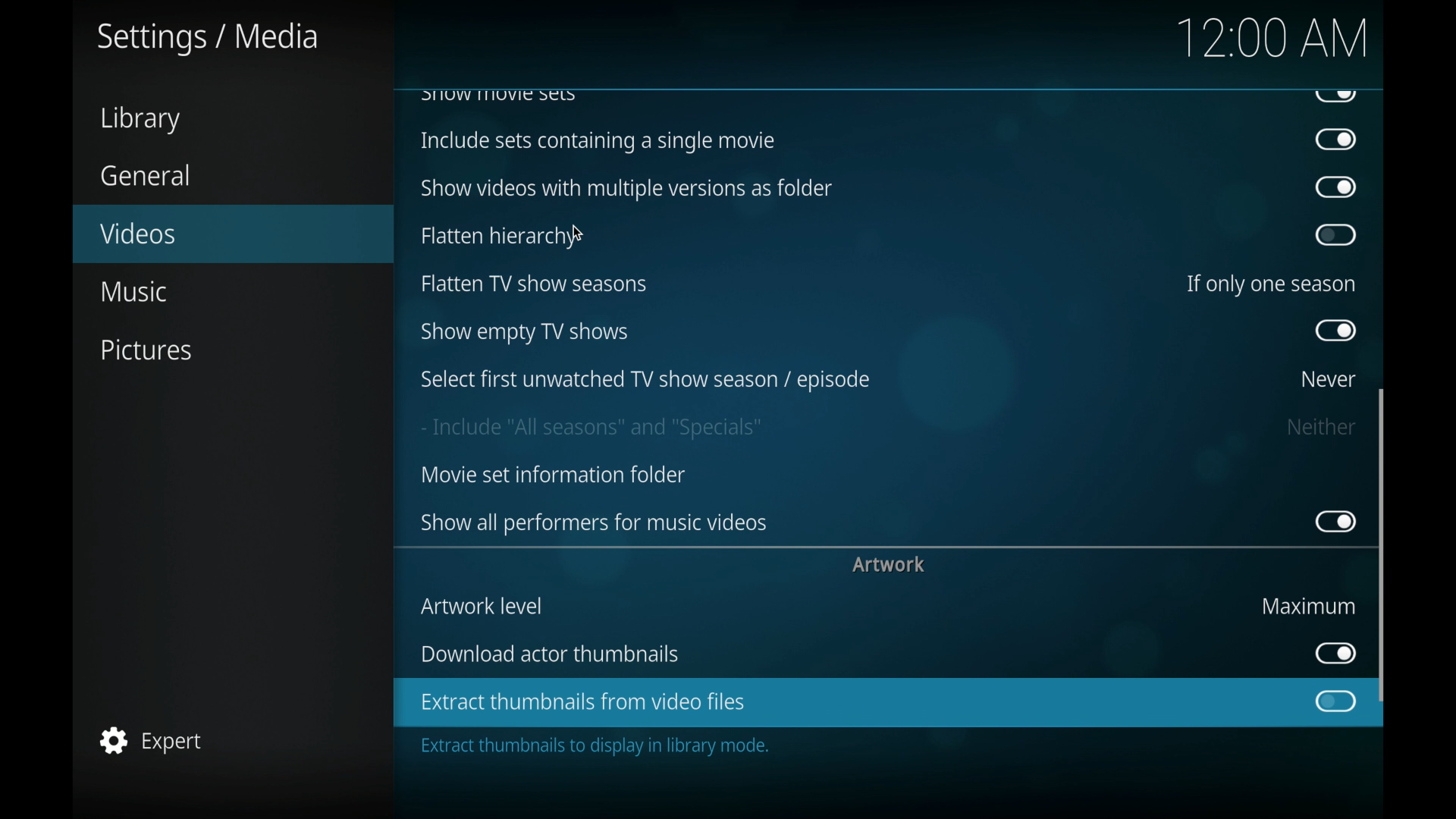  Describe the element at coordinates (889, 565) in the screenshot. I see `artwork` at that location.